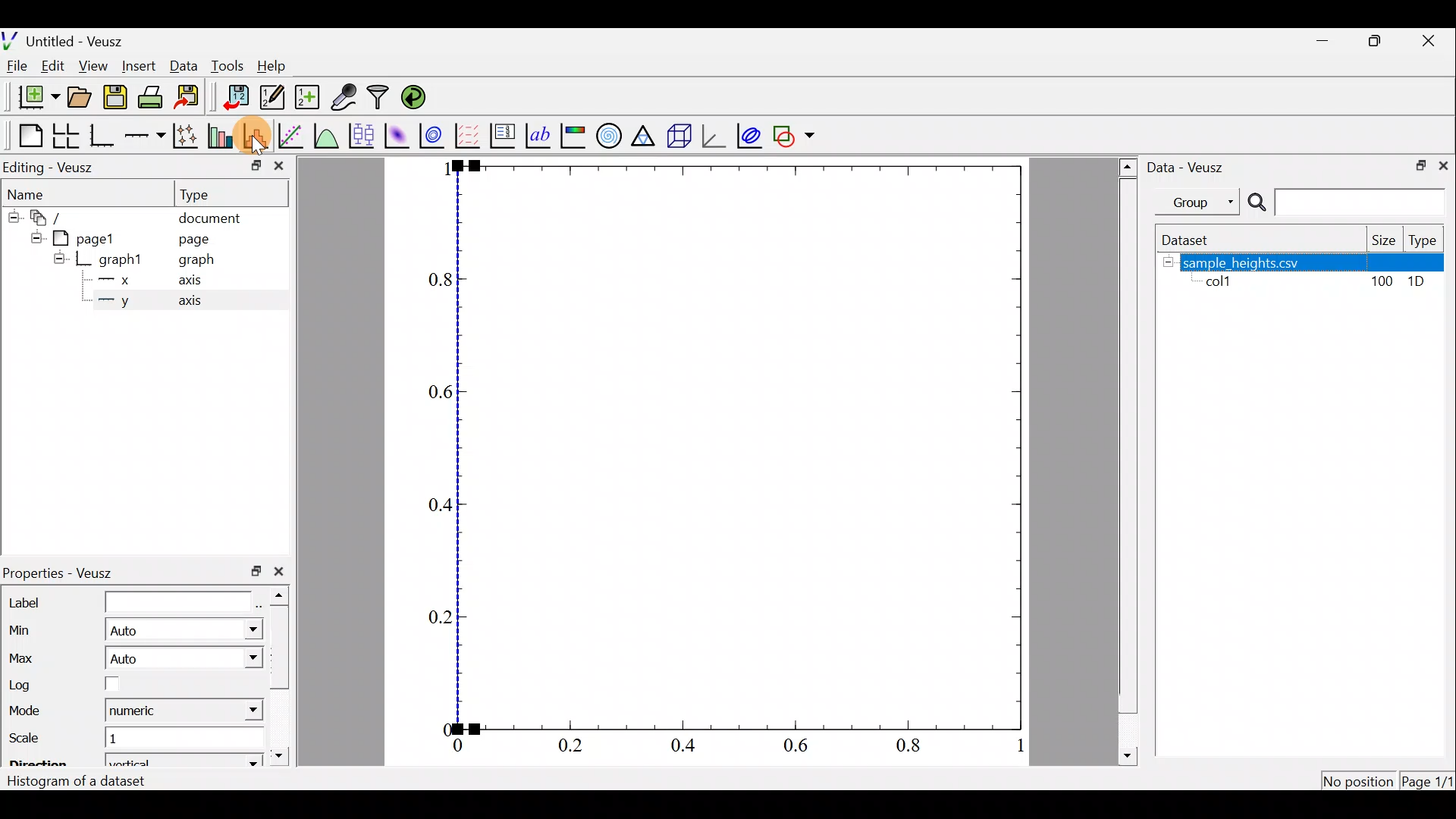 The height and width of the screenshot is (819, 1456). I want to click on Scale, so click(37, 739).